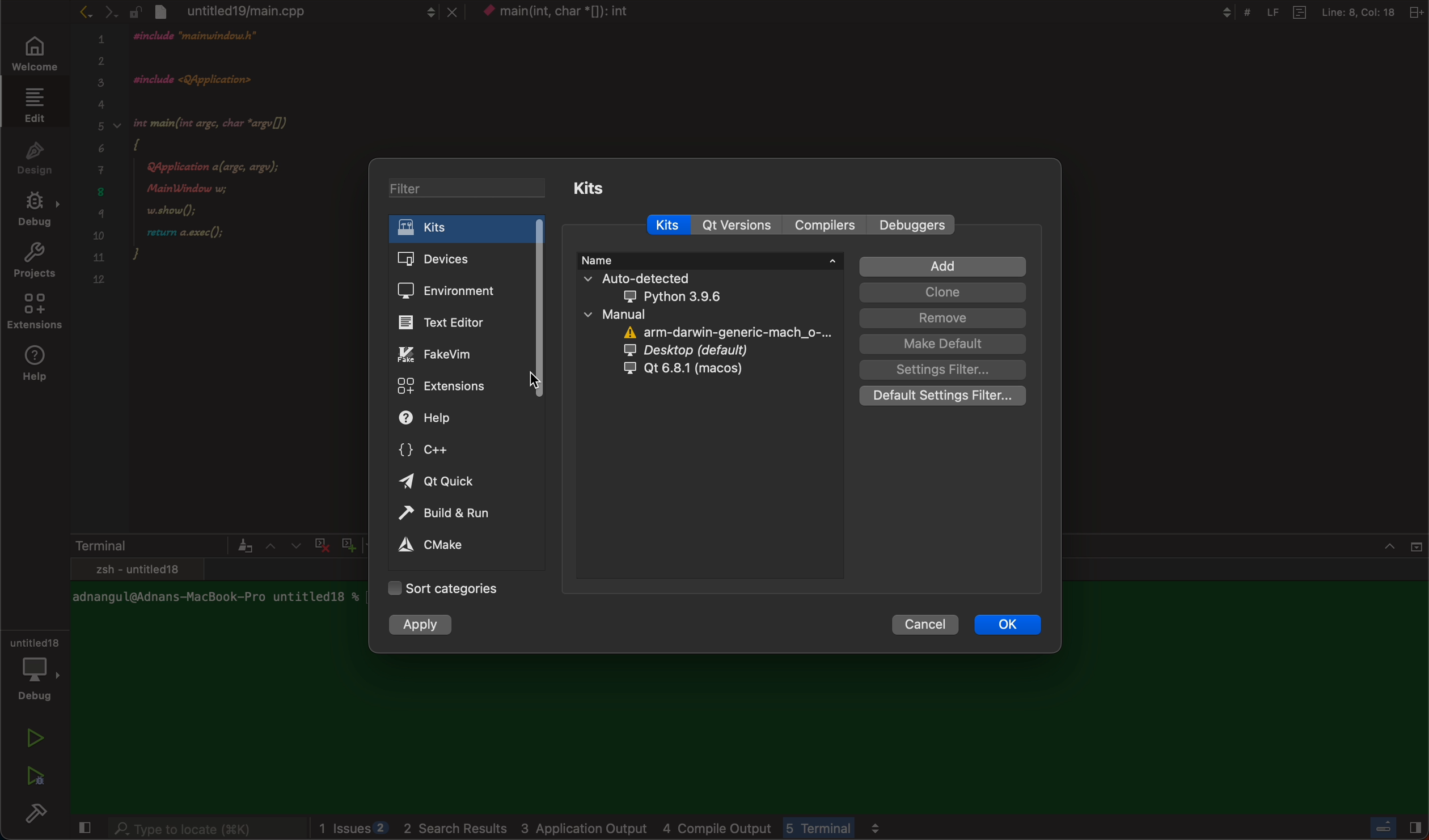 Image resolution: width=1429 pixels, height=840 pixels. What do you see at coordinates (1392, 830) in the screenshot?
I see `` at bounding box center [1392, 830].